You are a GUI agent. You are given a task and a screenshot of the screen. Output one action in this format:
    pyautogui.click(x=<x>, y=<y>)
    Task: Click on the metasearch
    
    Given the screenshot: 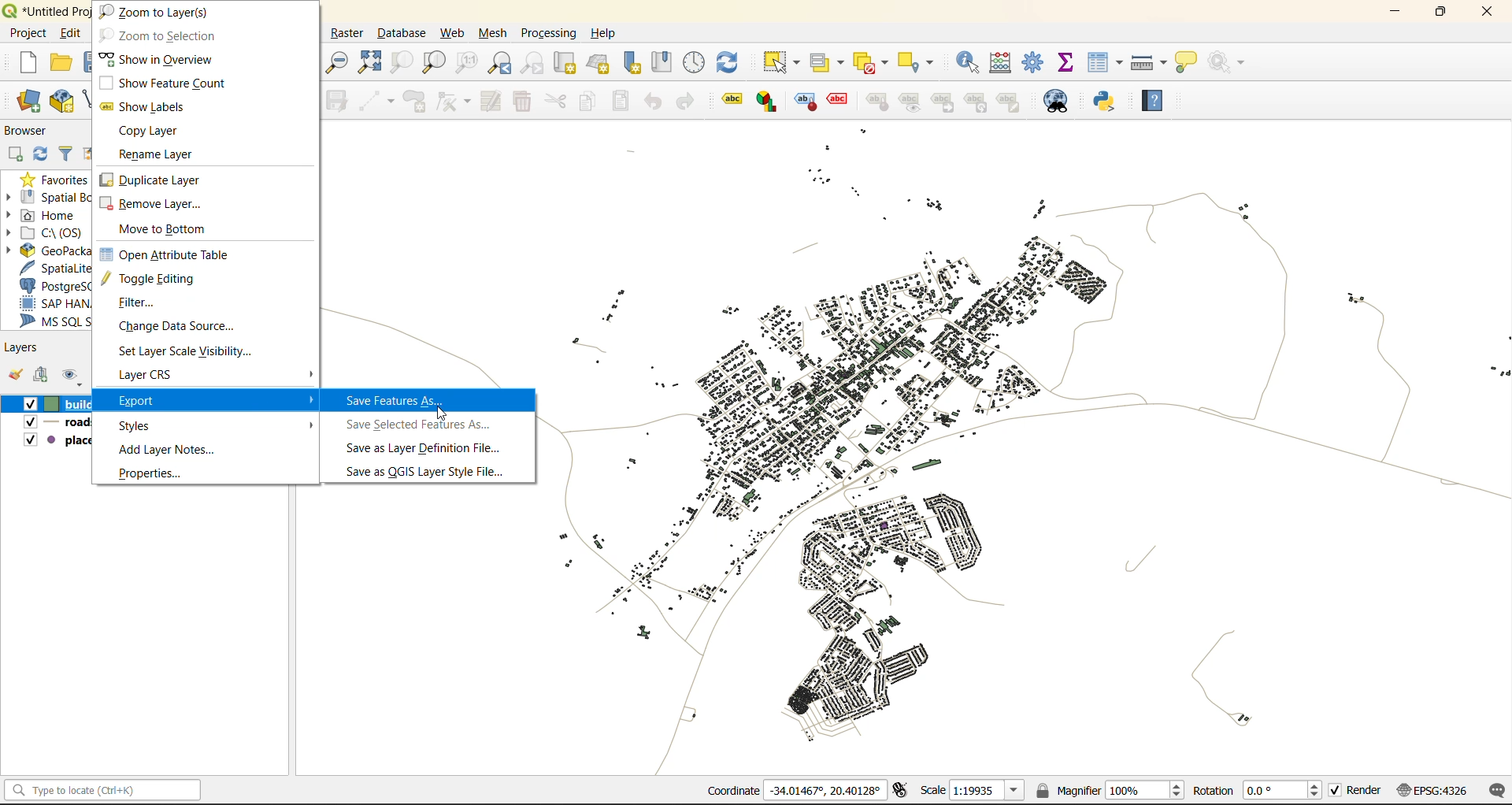 What is the action you would take?
    pyautogui.click(x=1064, y=102)
    